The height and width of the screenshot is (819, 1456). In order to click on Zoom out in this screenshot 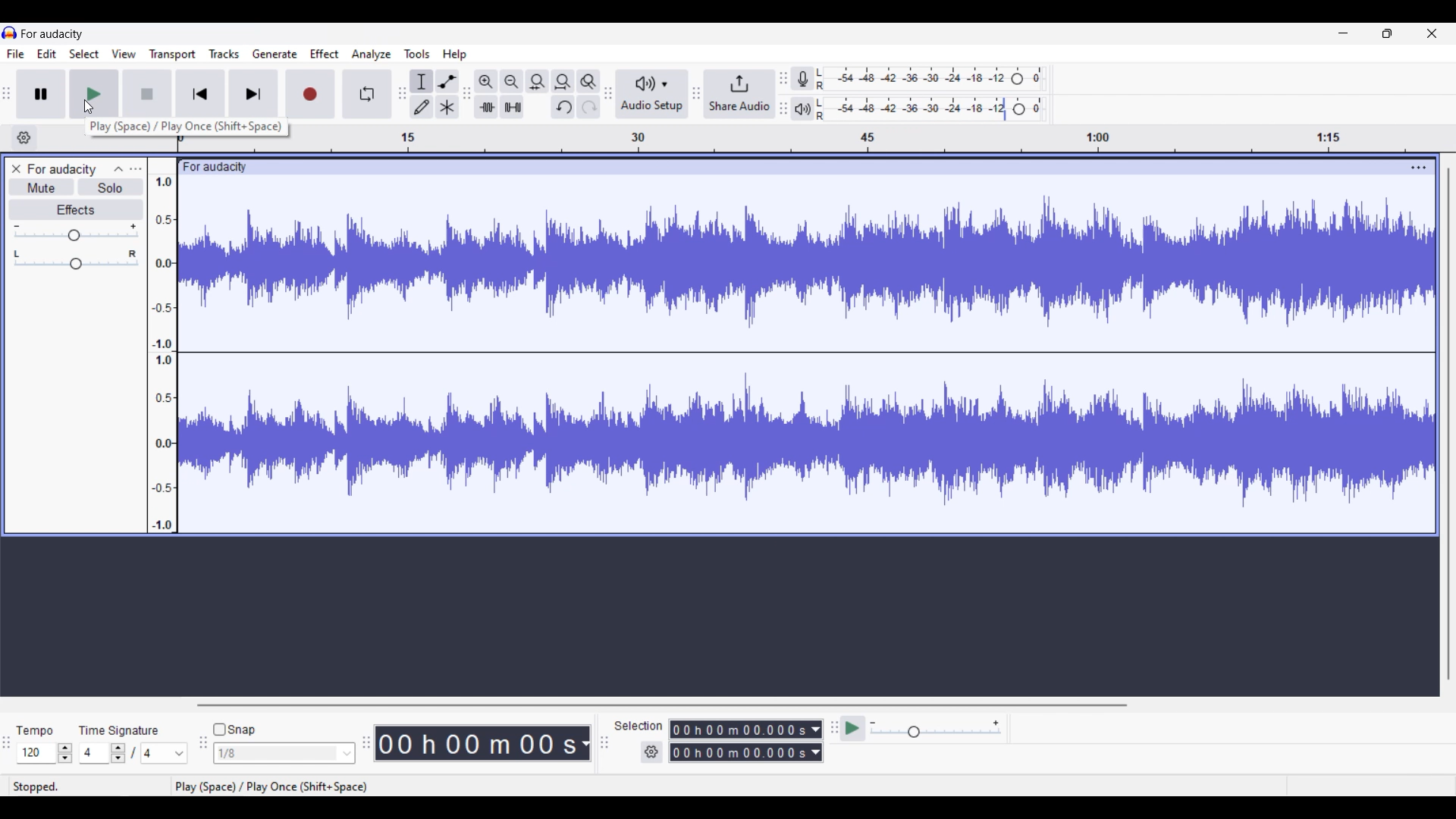, I will do `click(513, 82)`.